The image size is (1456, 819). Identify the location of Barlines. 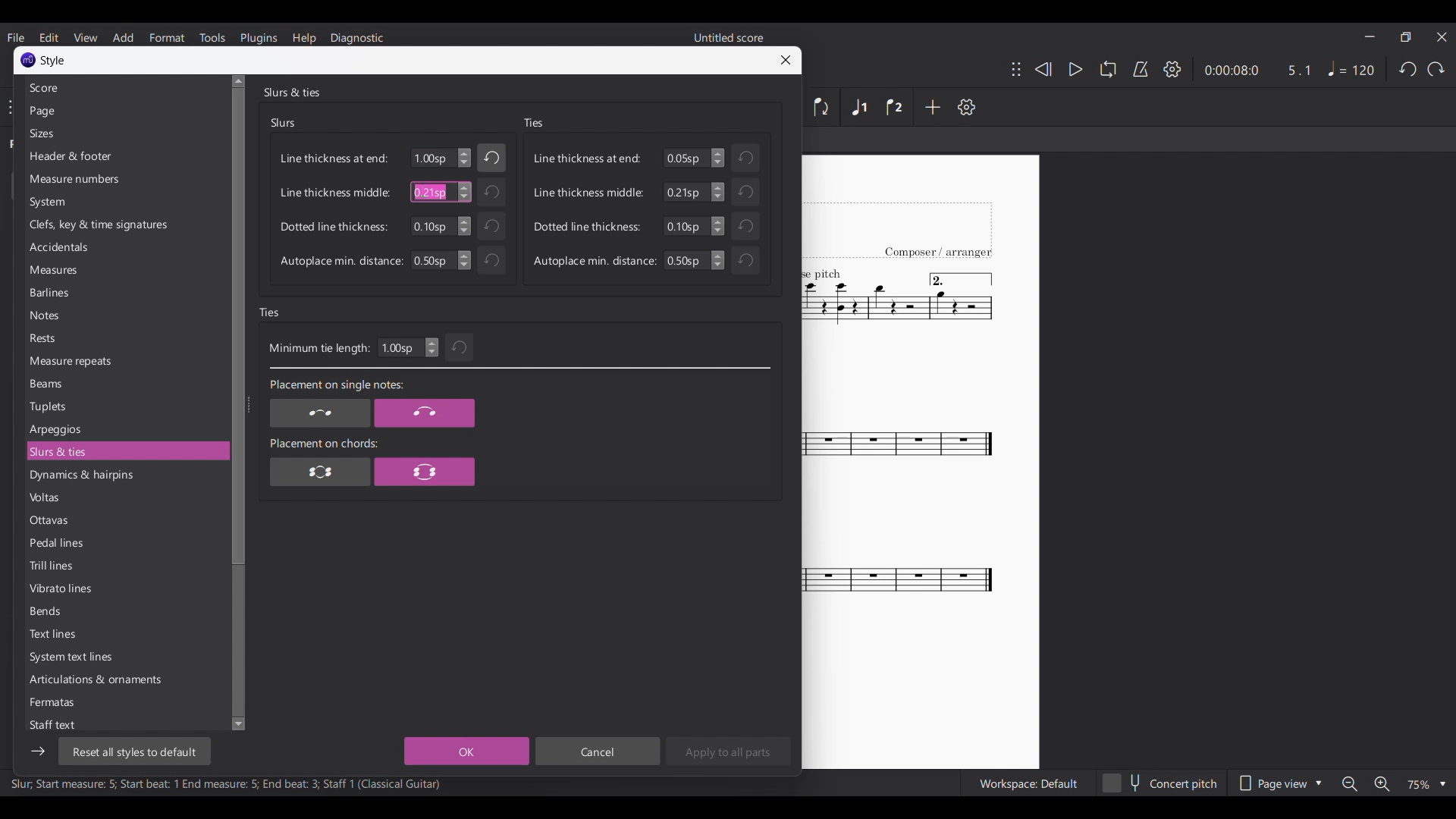
(125, 292).